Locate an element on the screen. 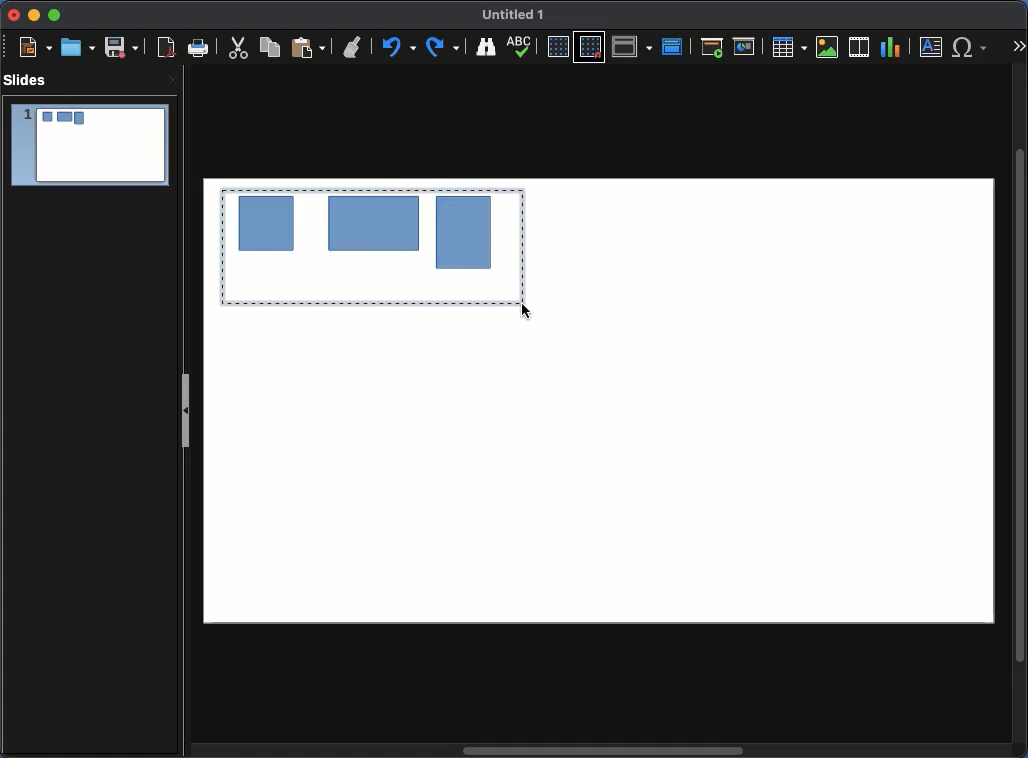  Mouse up is located at coordinates (529, 312).